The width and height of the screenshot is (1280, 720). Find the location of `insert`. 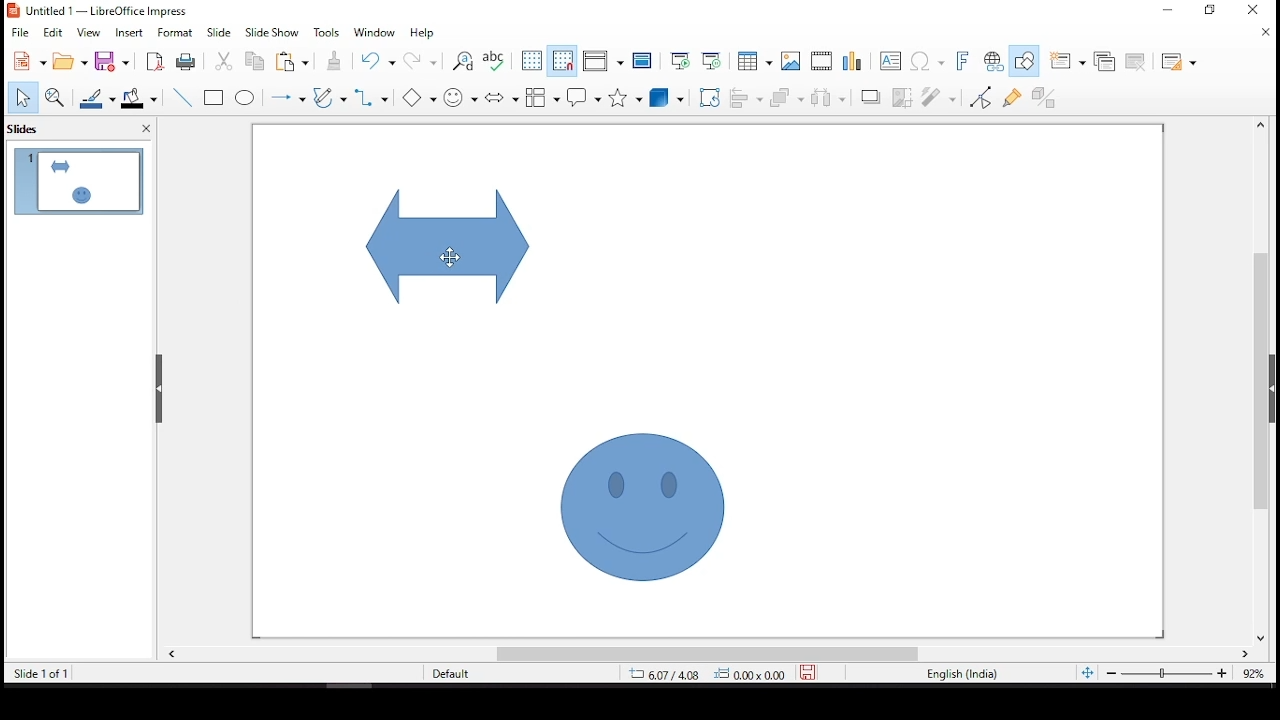

insert is located at coordinates (132, 35).